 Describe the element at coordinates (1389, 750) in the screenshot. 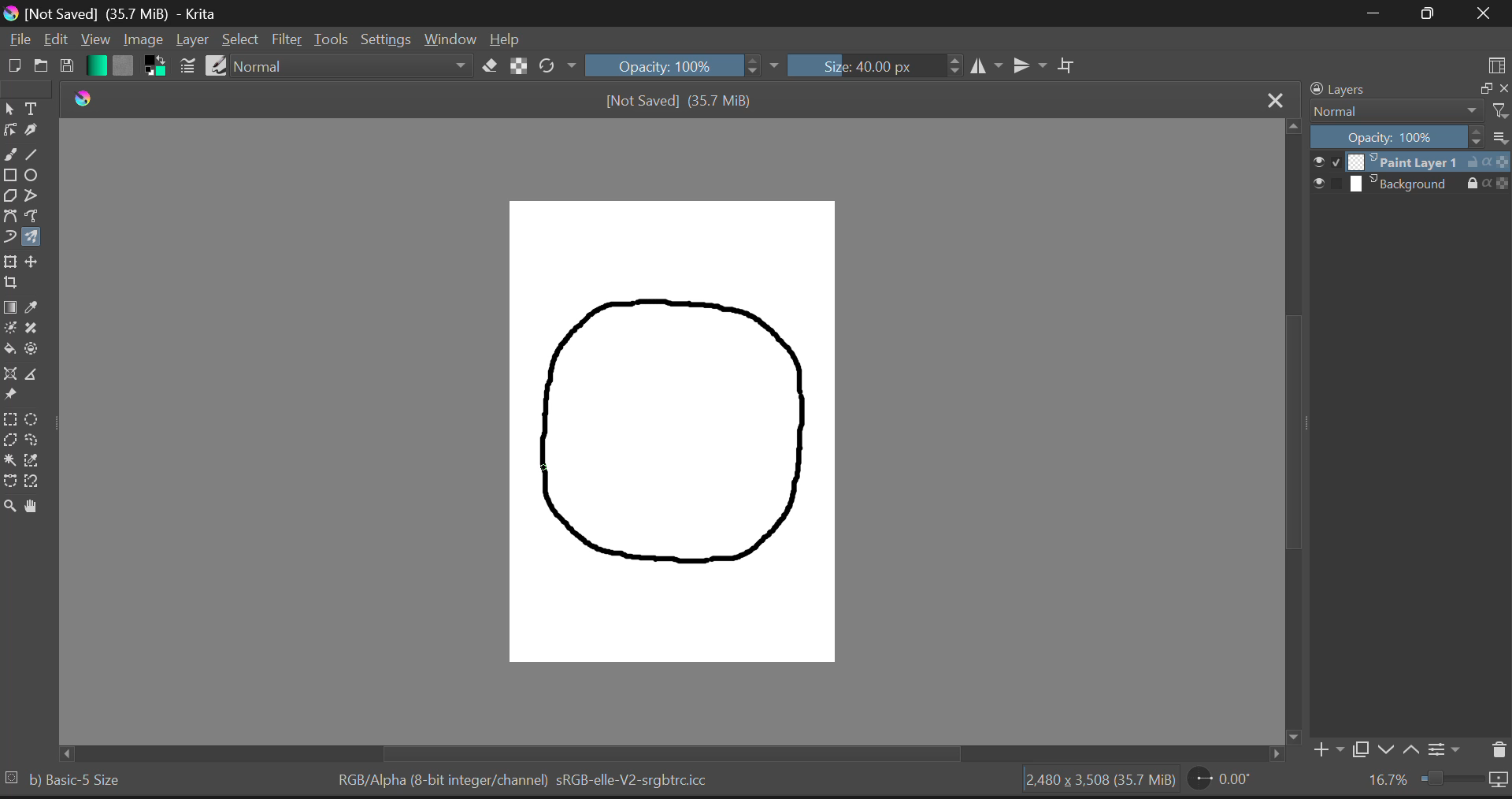

I see `Move Layer Down` at that location.